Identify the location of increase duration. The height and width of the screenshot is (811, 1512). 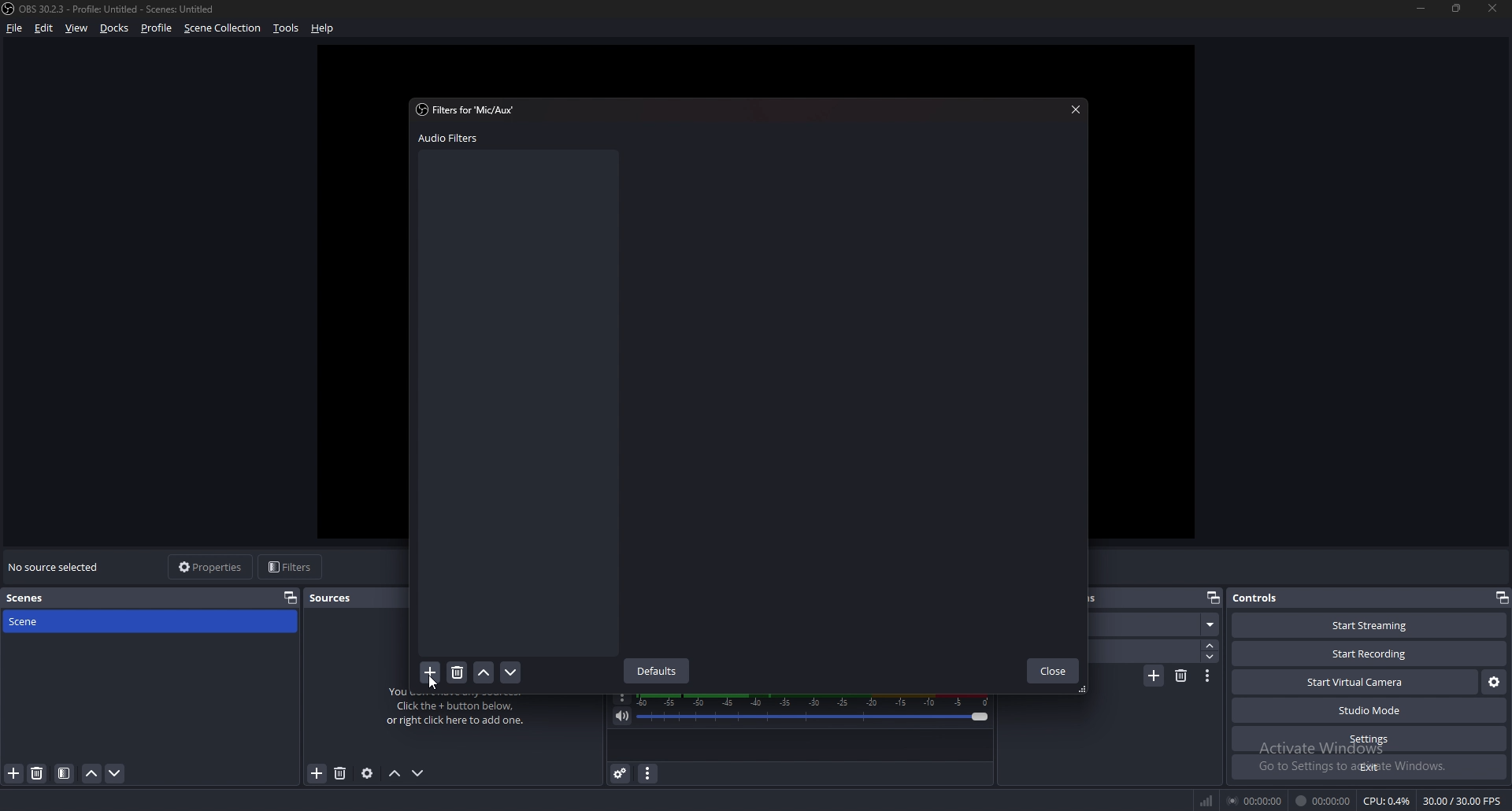
(1210, 645).